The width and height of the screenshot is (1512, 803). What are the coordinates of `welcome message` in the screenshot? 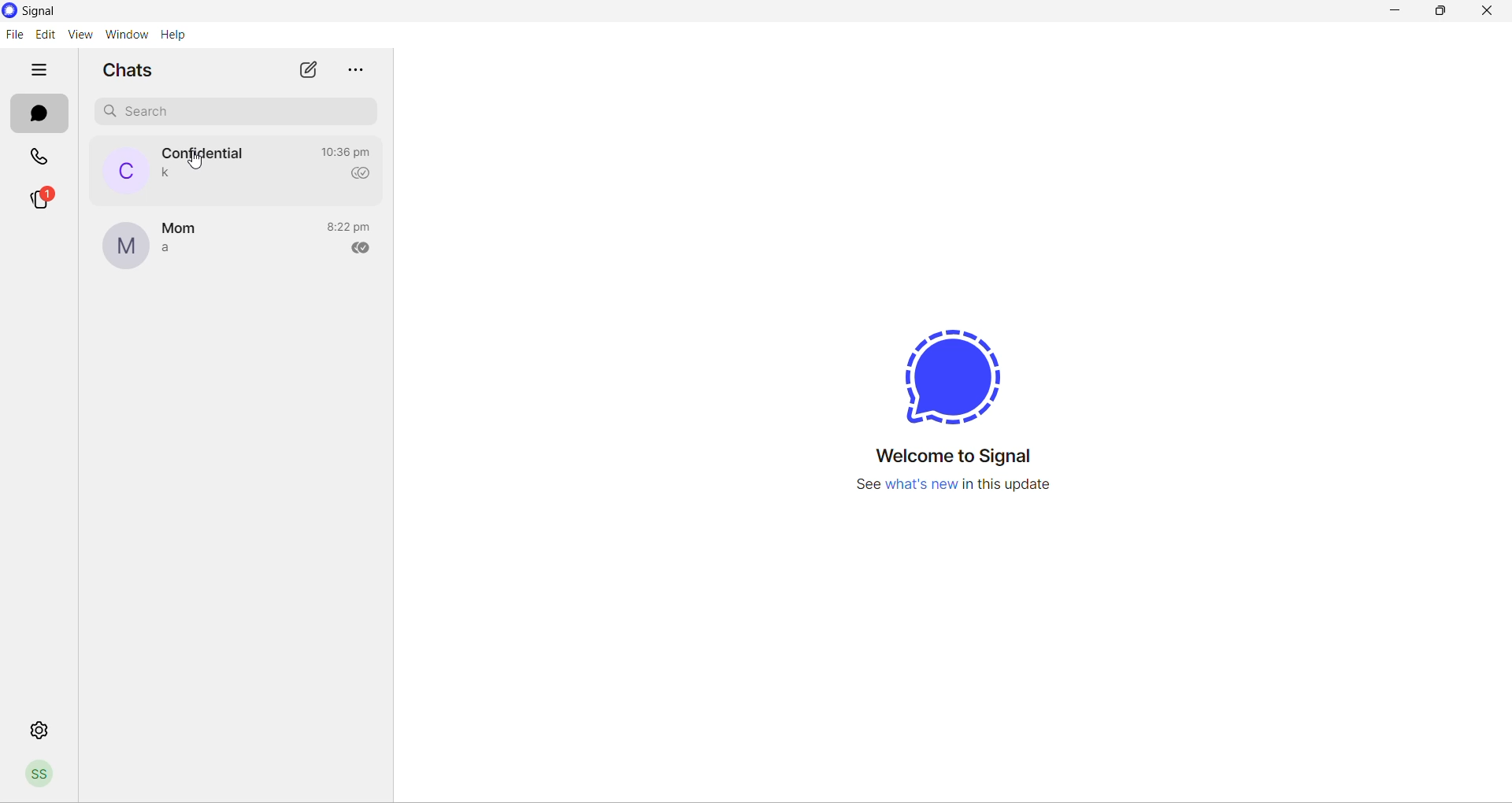 It's located at (958, 455).